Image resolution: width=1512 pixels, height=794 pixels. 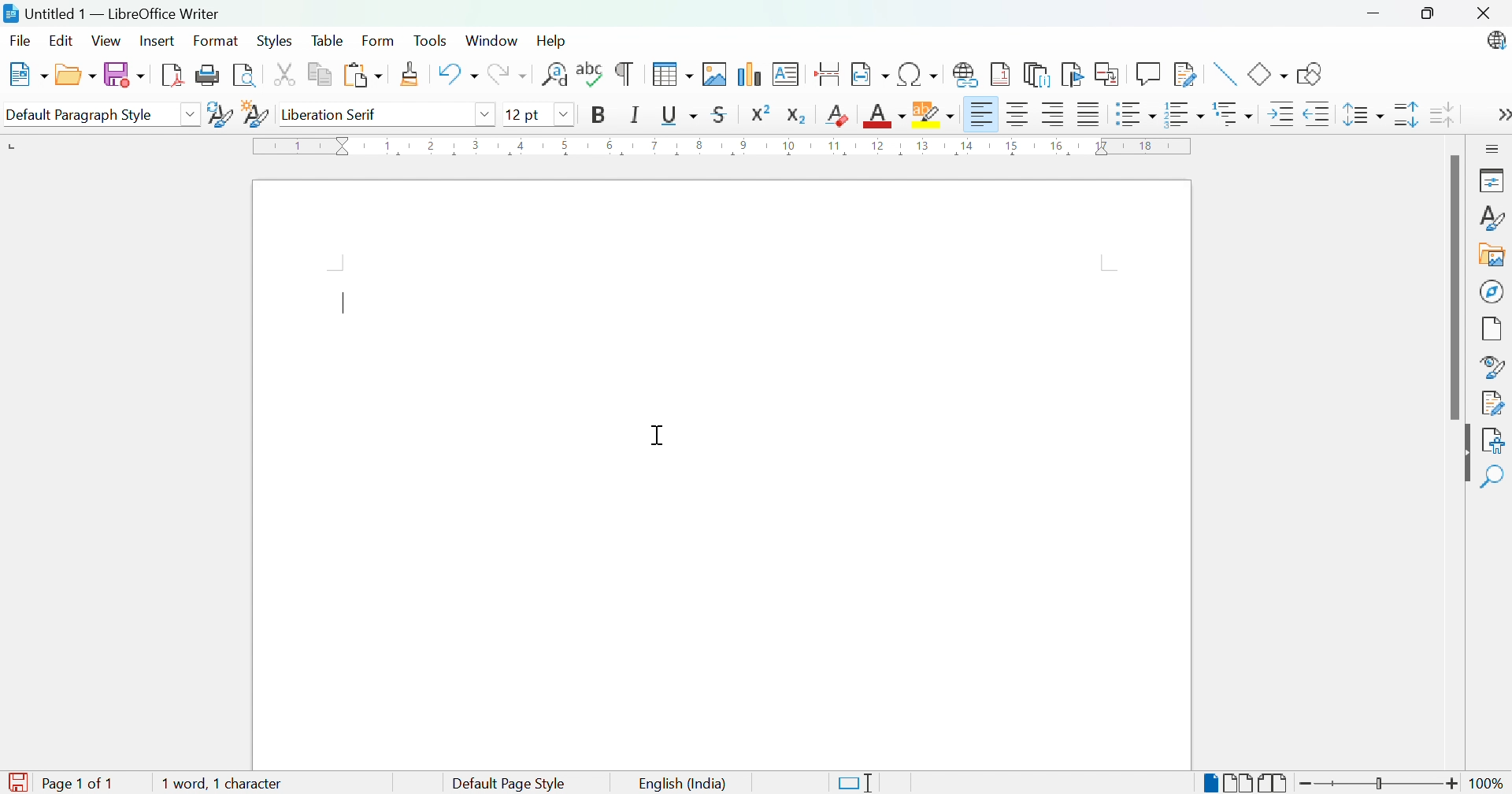 What do you see at coordinates (1377, 16) in the screenshot?
I see `Minimize` at bounding box center [1377, 16].